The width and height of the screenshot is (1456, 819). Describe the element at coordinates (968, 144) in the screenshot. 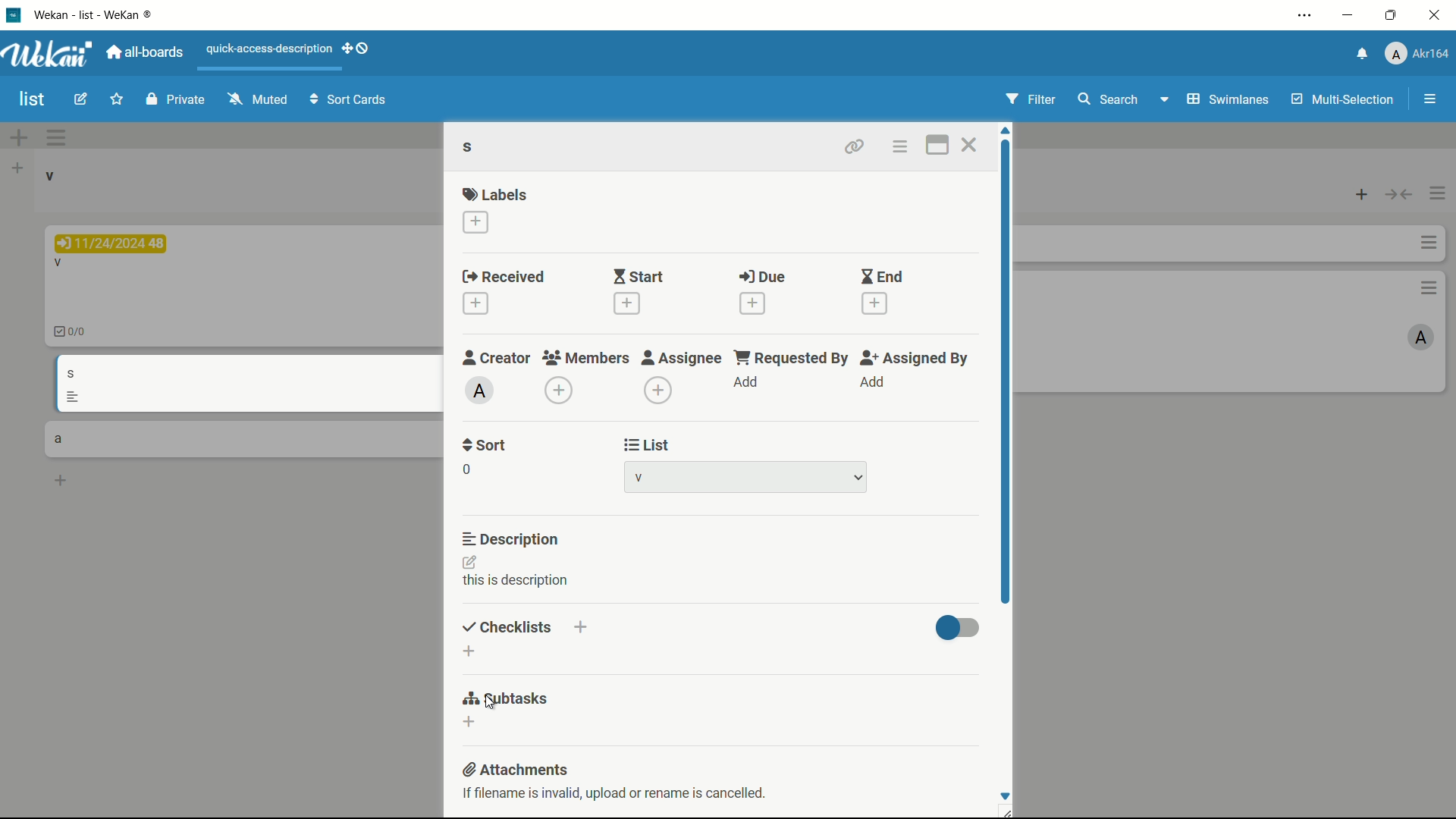

I see `close card` at that location.